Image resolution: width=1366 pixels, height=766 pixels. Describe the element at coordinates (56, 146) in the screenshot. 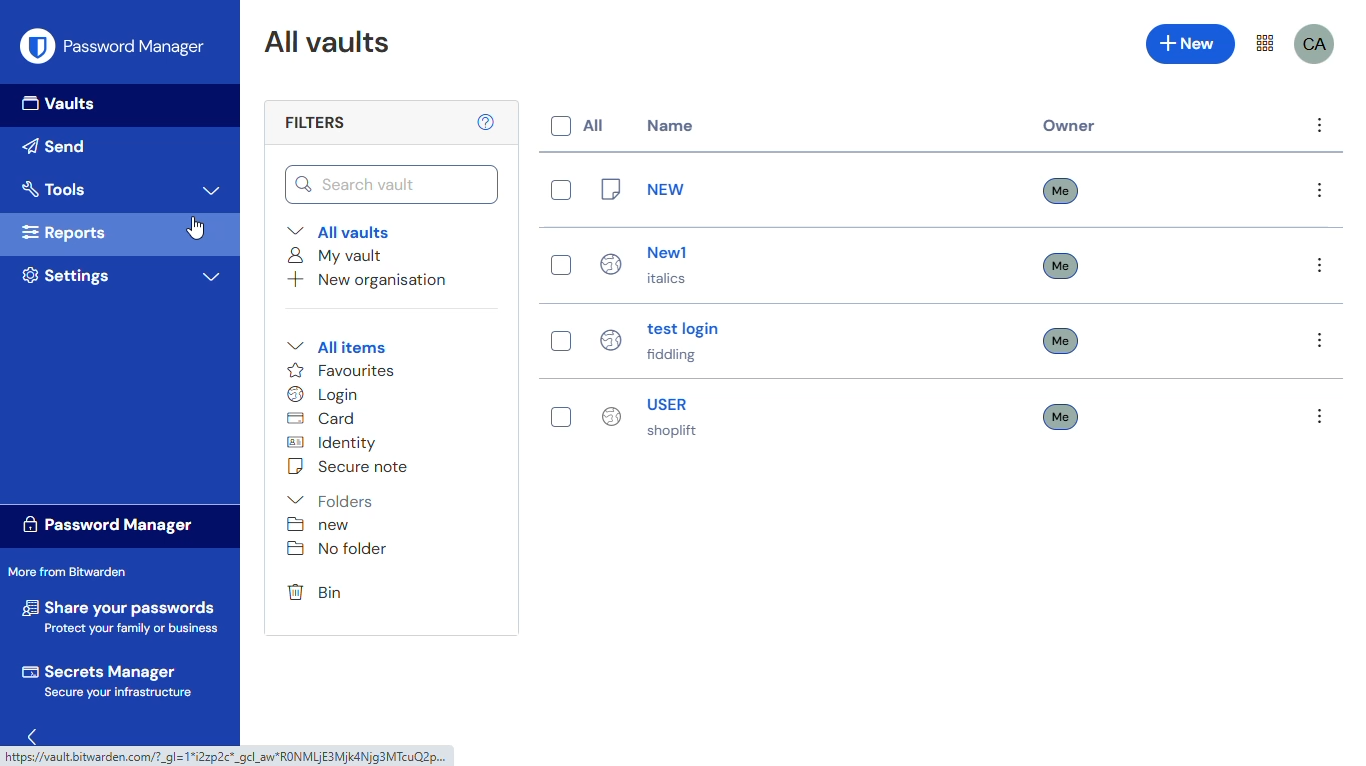

I see `send` at that location.